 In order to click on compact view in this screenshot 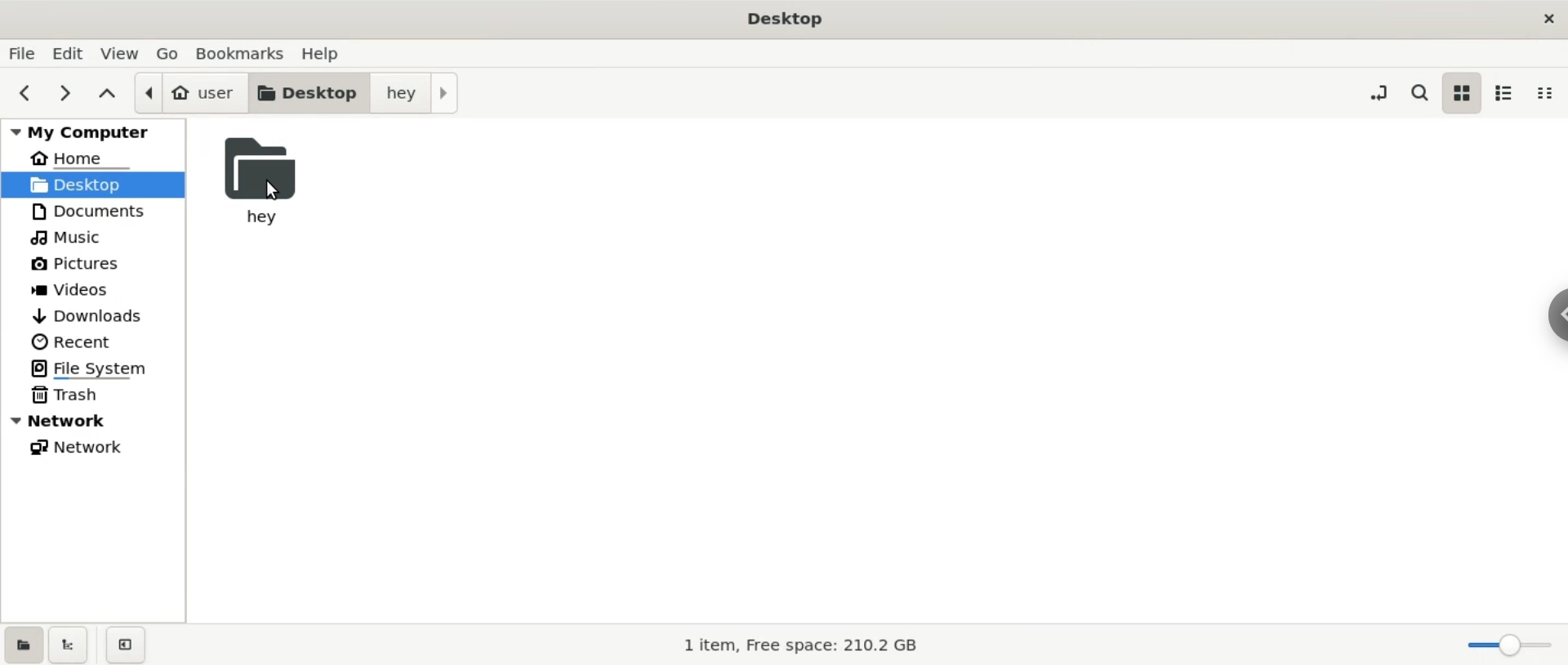, I will do `click(1551, 94)`.